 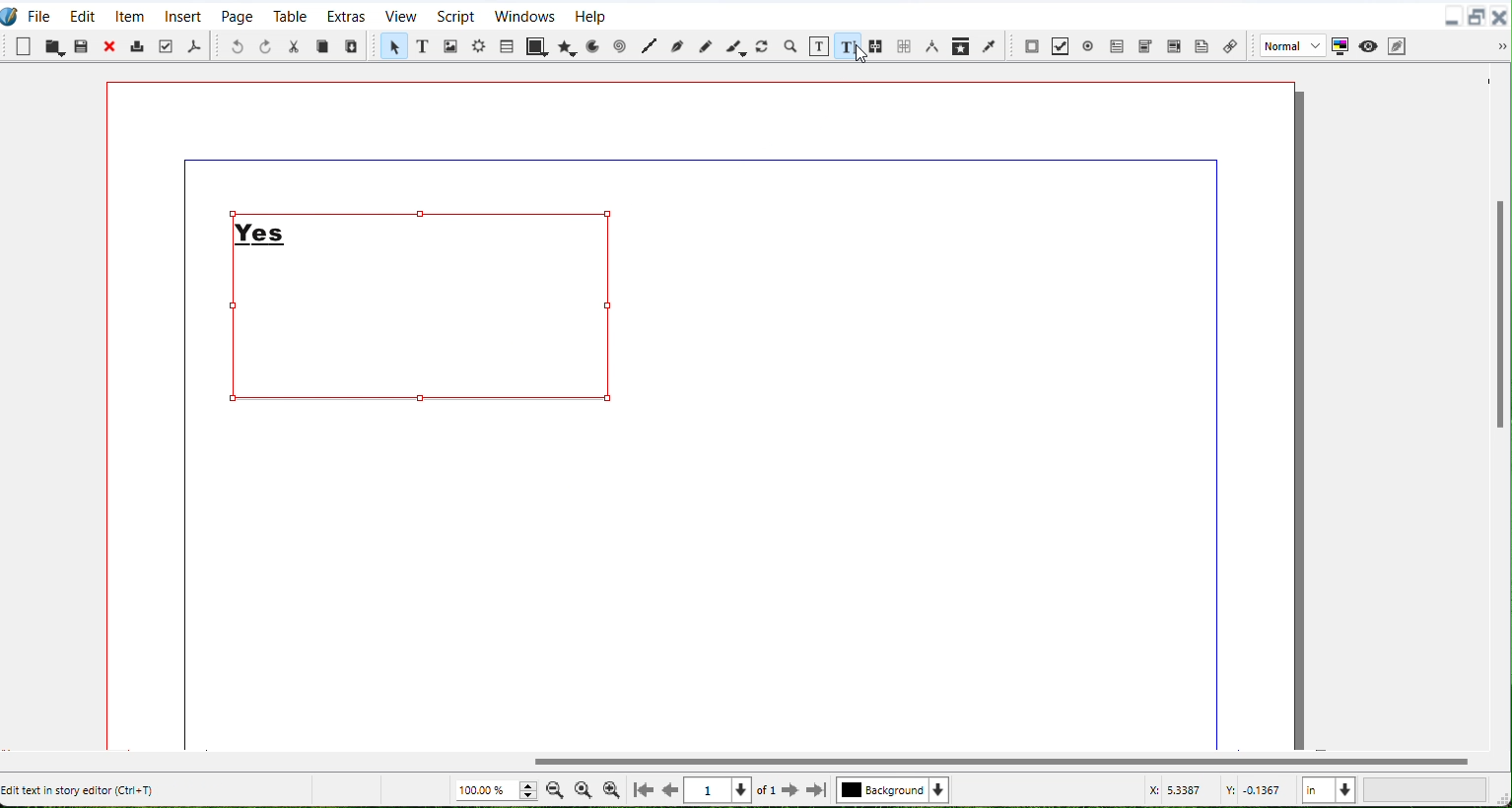 What do you see at coordinates (1174, 44) in the screenshot?
I see `PDF Text Box` at bounding box center [1174, 44].